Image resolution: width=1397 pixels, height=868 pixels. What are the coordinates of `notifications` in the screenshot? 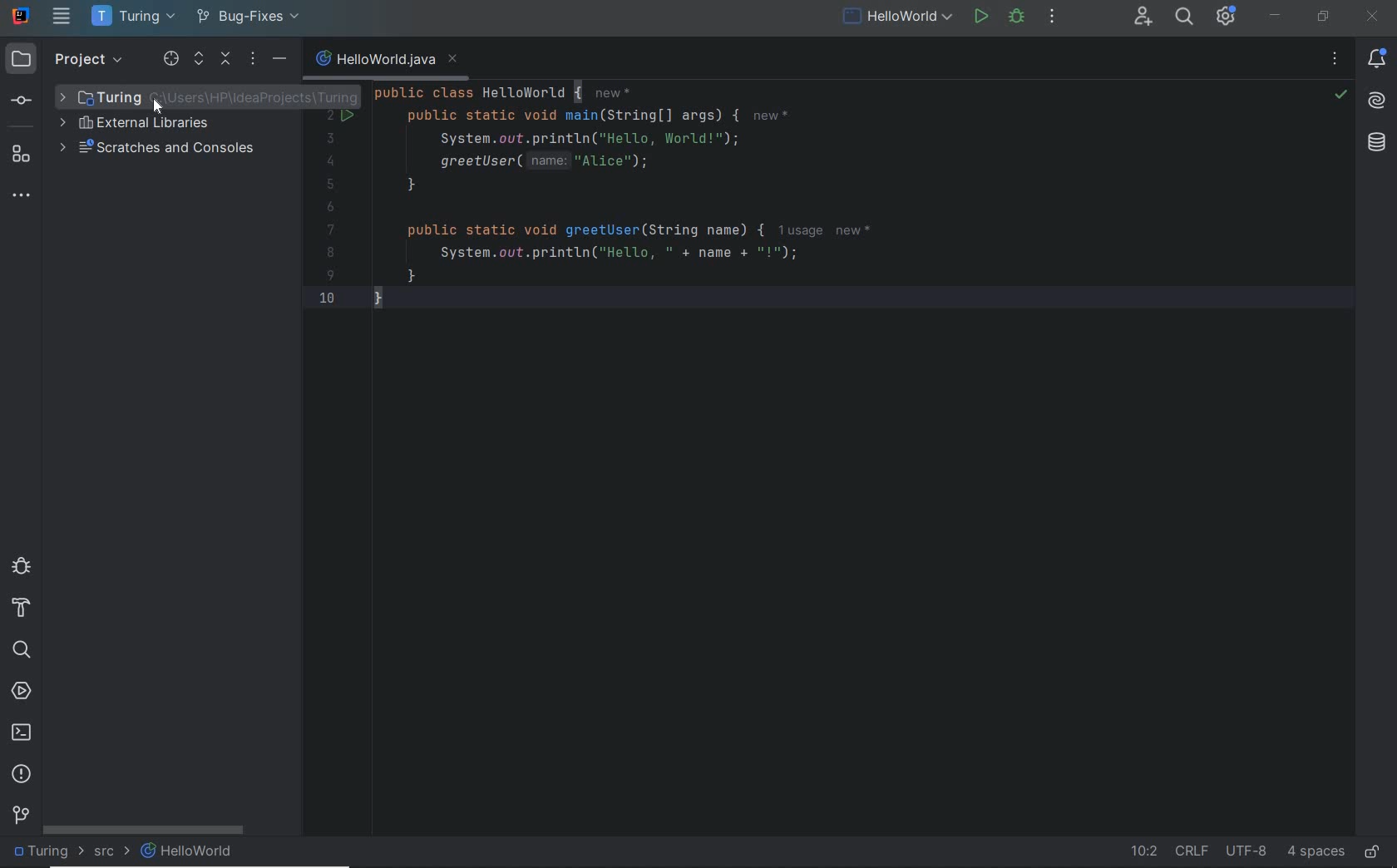 It's located at (1378, 60).